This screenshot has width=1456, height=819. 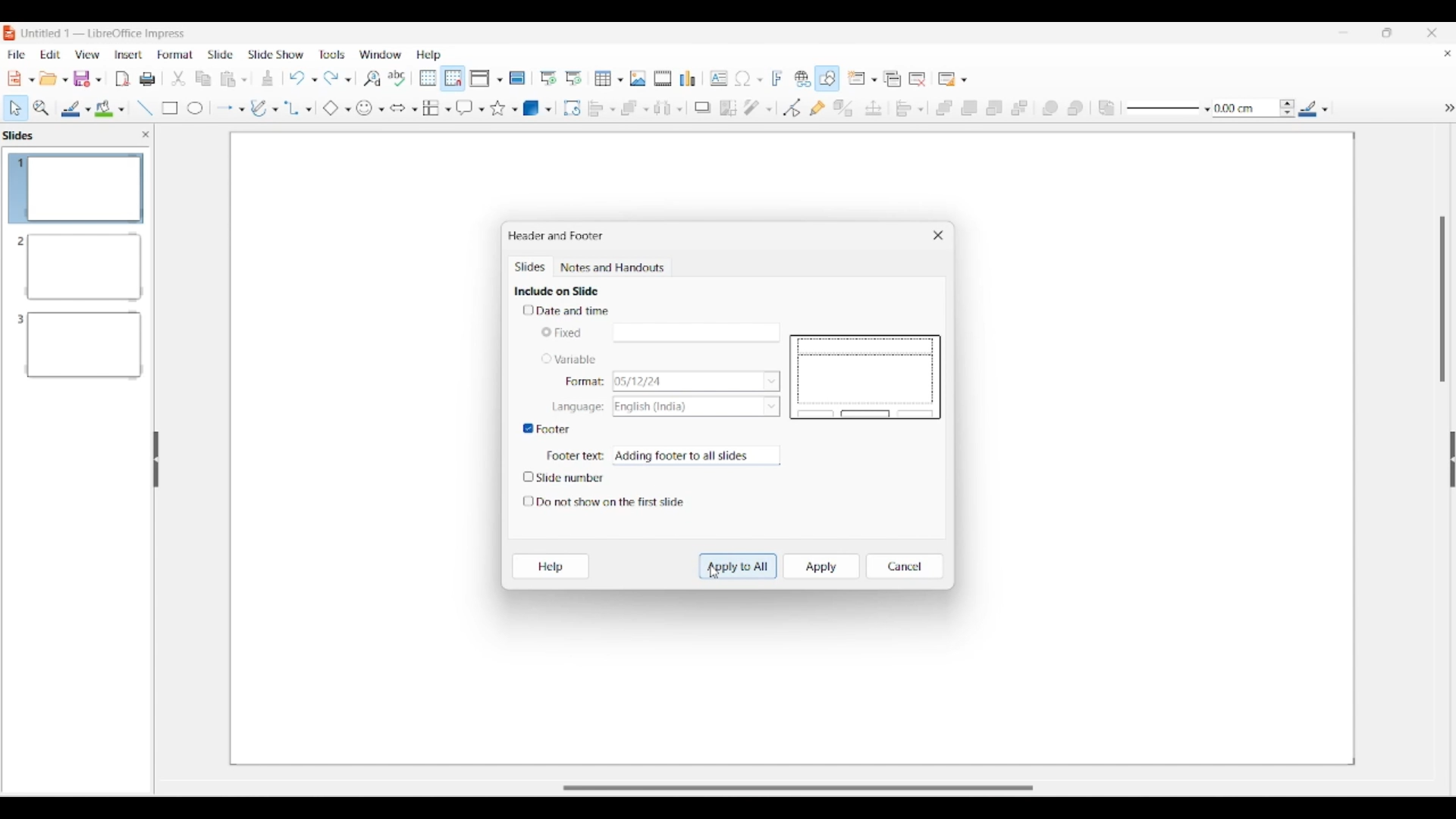 I want to click on Insert special character options, so click(x=748, y=78).